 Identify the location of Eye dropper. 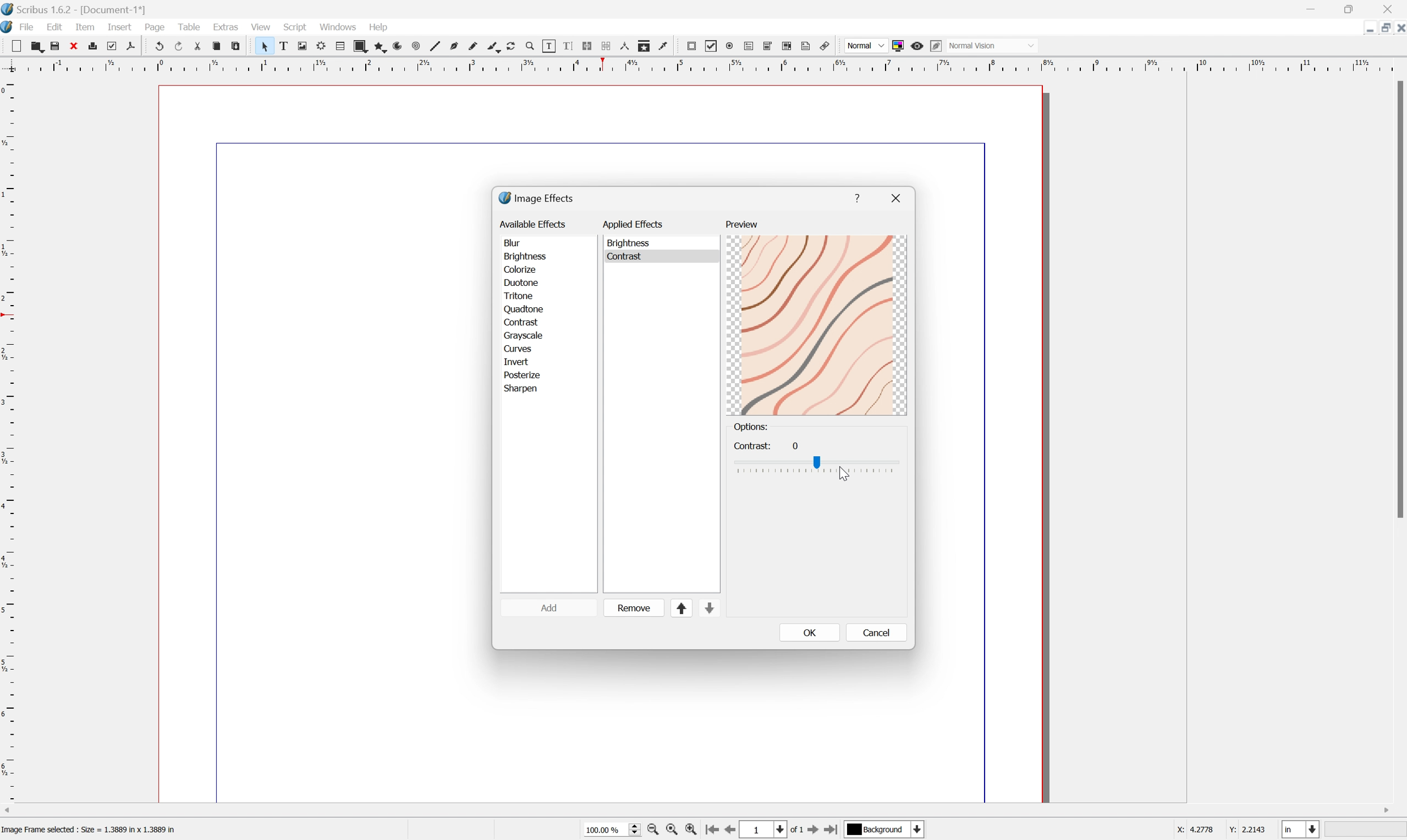
(667, 48).